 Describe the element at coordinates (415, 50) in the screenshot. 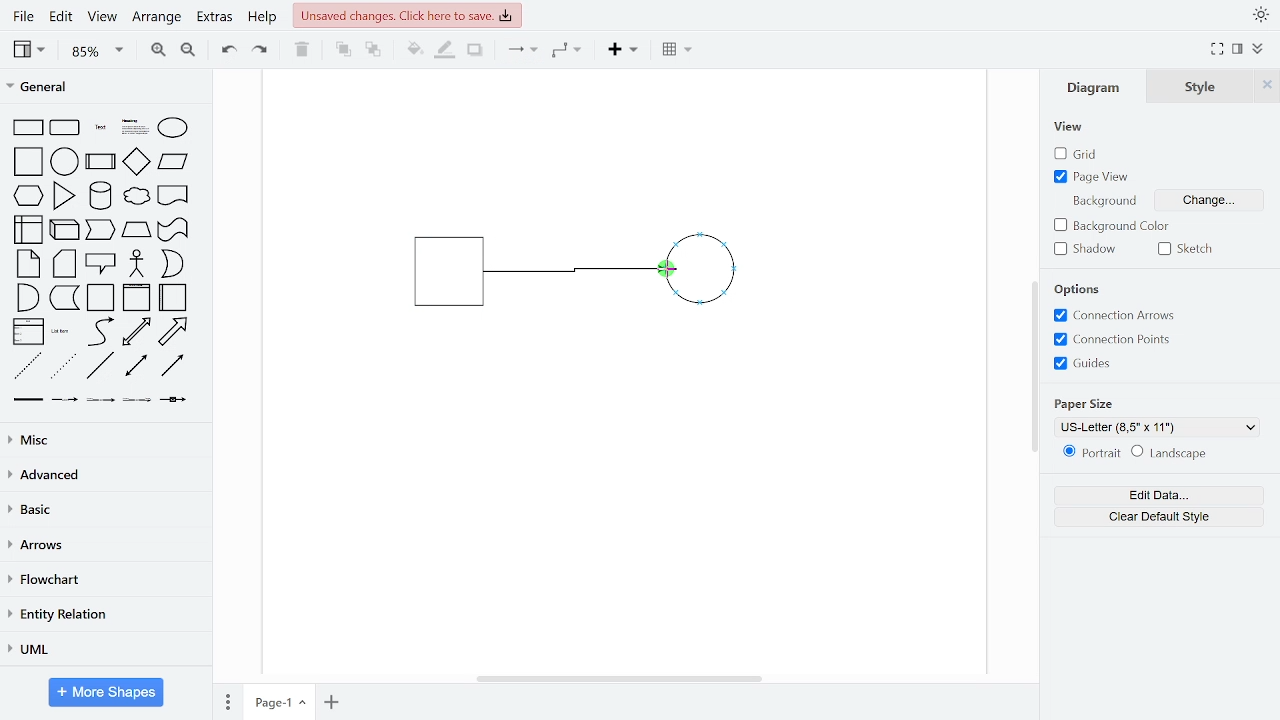

I see `fill color` at that location.